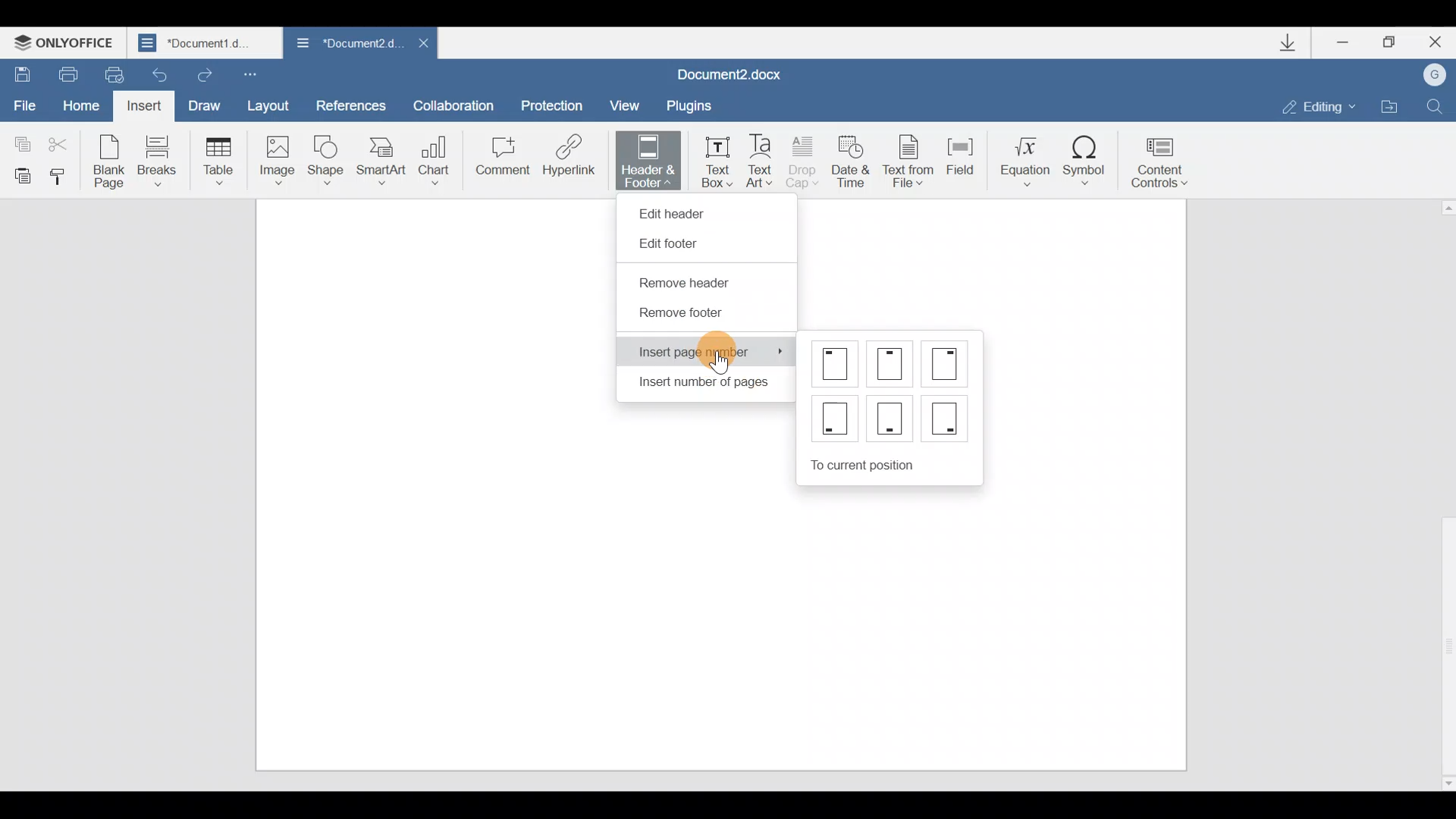  What do you see at coordinates (145, 106) in the screenshot?
I see `Insert` at bounding box center [145, 106].